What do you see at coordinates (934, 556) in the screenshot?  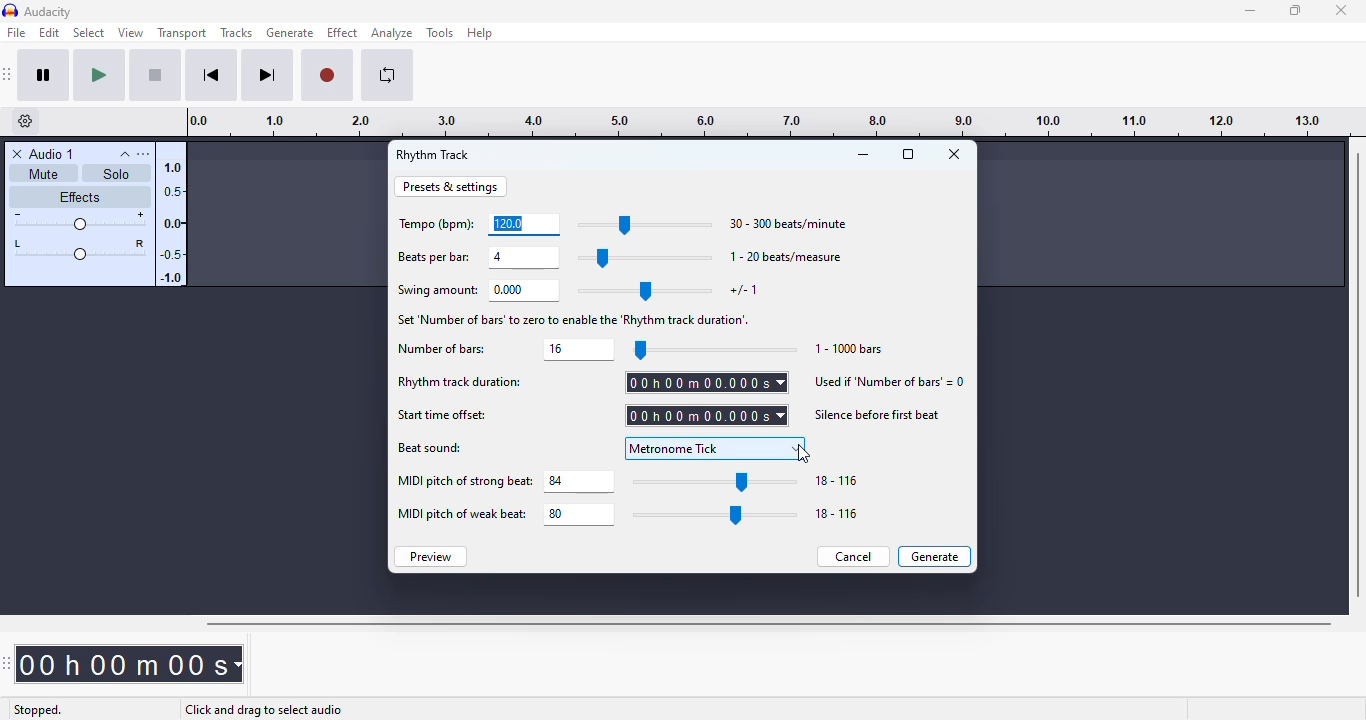 I see `generate` at bounding box center [934, 556].